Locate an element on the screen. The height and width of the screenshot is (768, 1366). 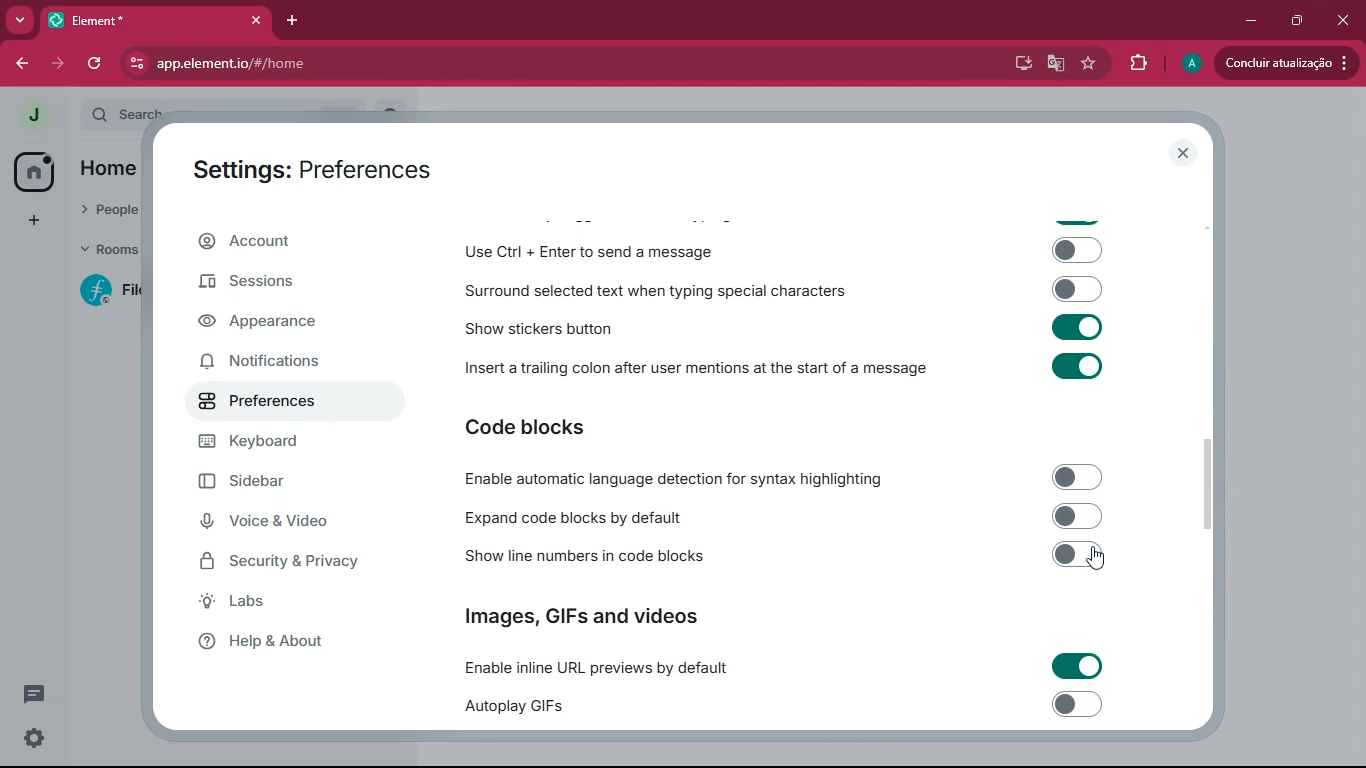
code blocks  is located at coordinates (539, 429).